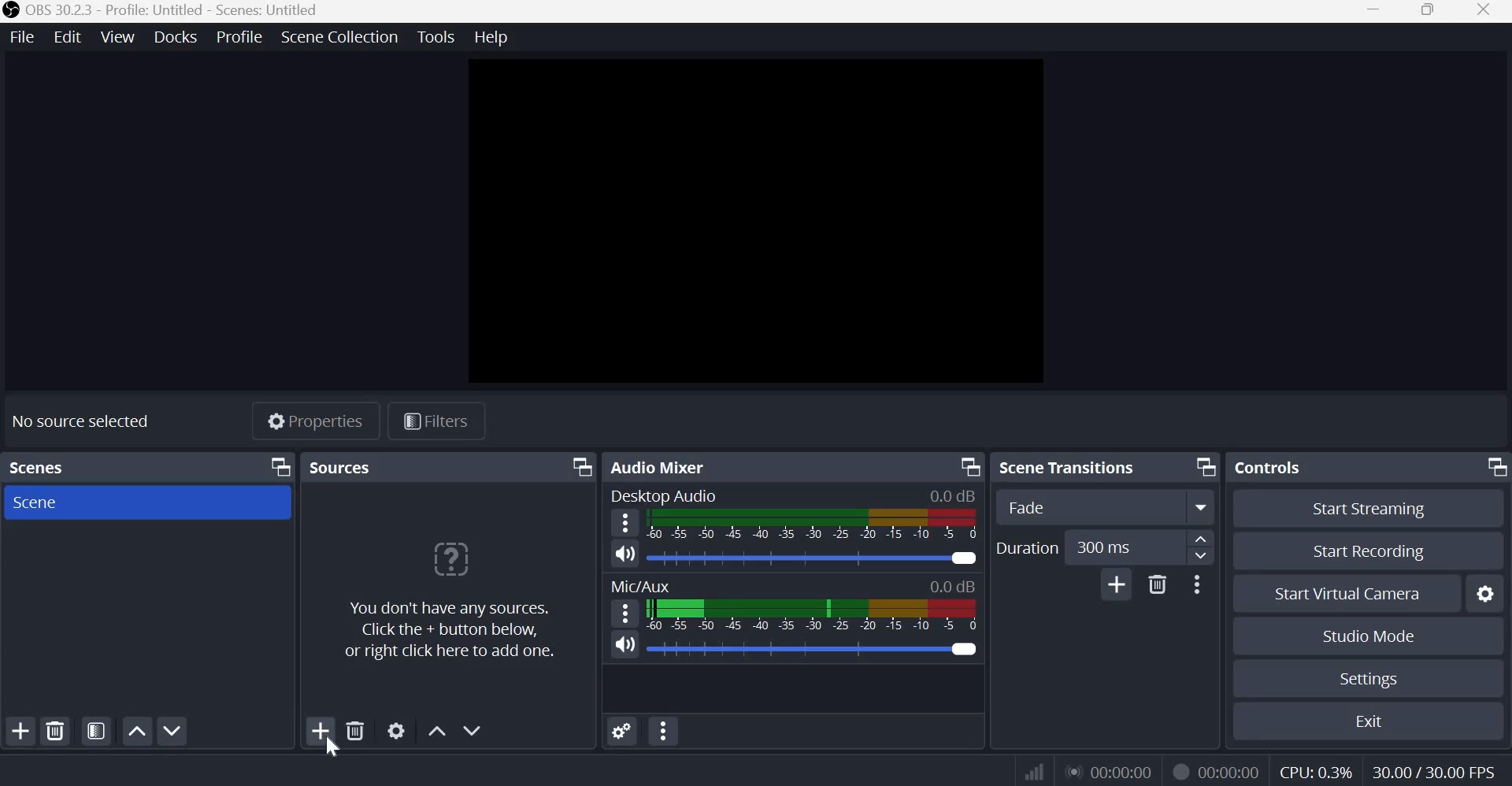 The image size is (1512, 786). What do you see at coordinates (963, 647) in the screenshot?
I see `Audio Slider` at bounding box center [963, 647].